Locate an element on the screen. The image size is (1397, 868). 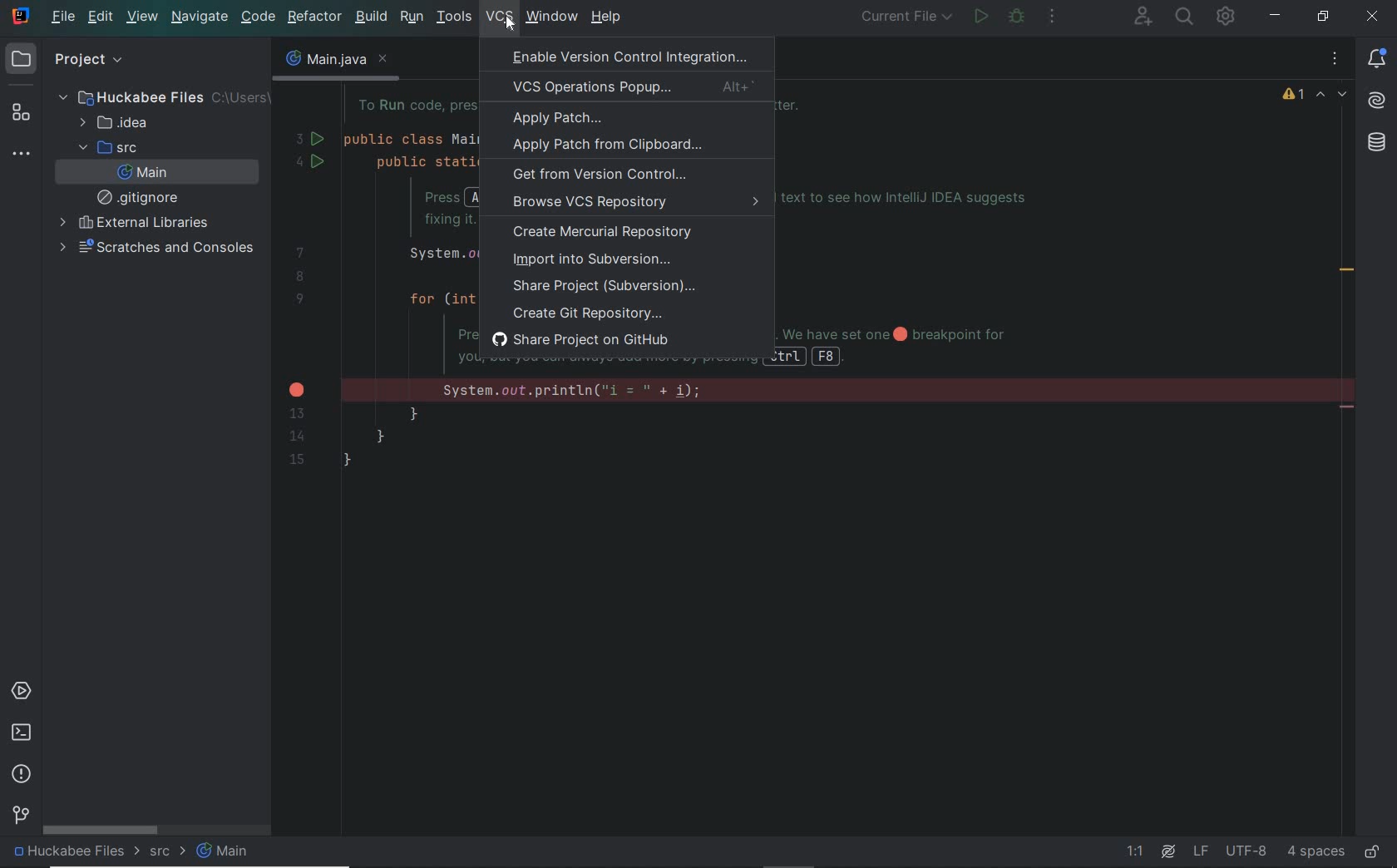
debug is located at coordinates (1017, 18).